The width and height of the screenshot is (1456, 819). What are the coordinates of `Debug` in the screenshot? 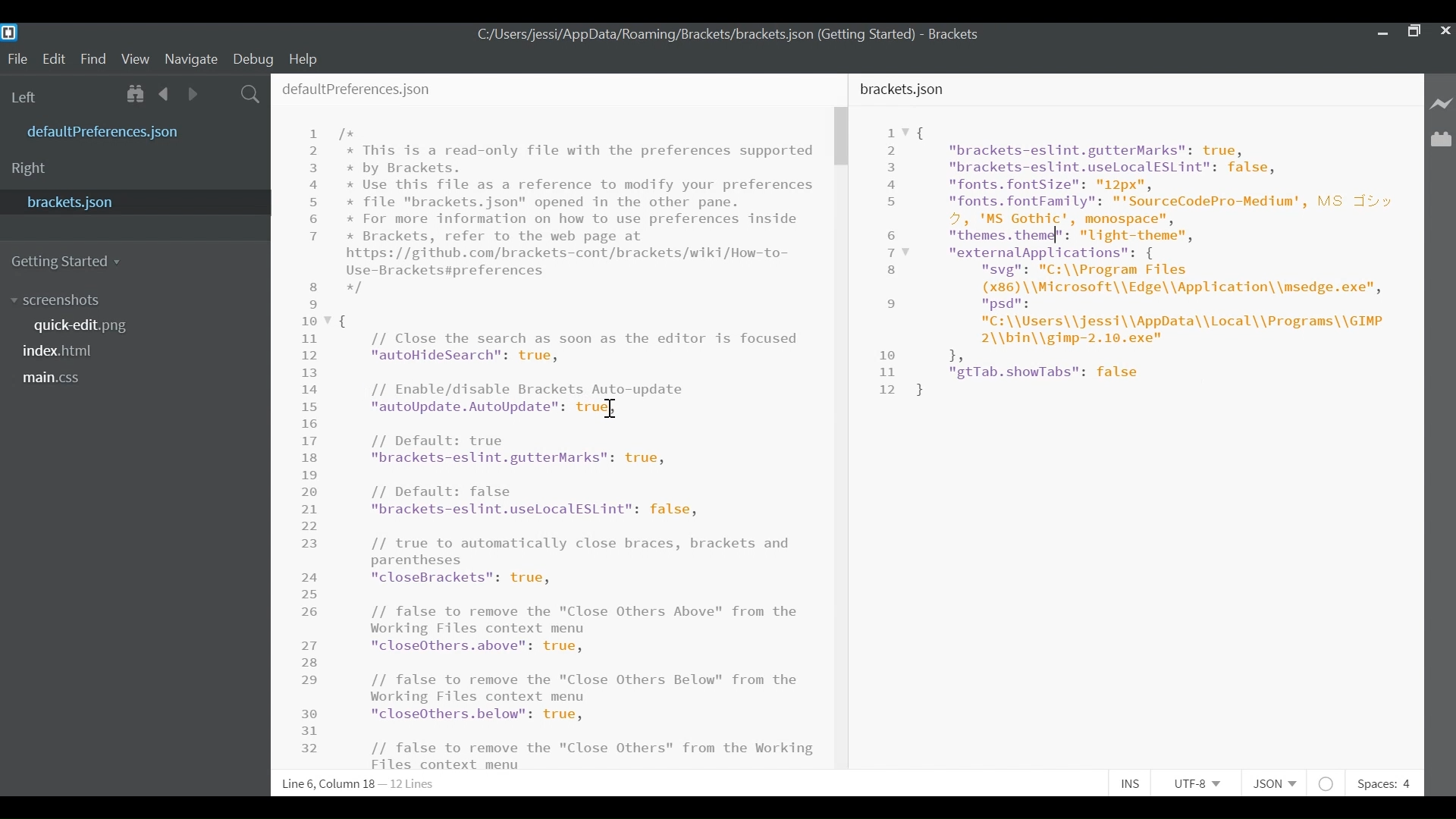 It's located at (256, 58).